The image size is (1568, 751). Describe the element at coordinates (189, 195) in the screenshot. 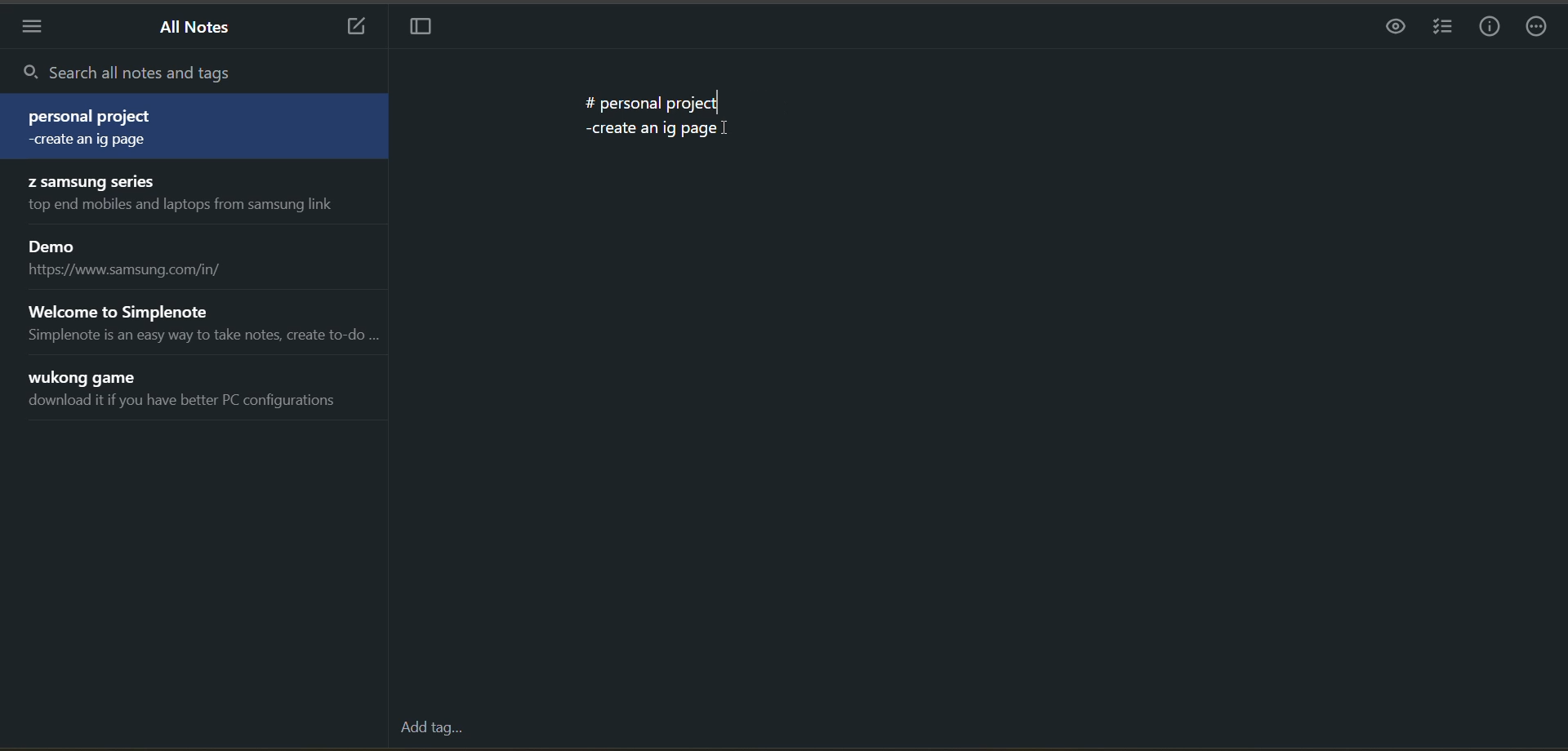

I see `note title and preview` at that location.